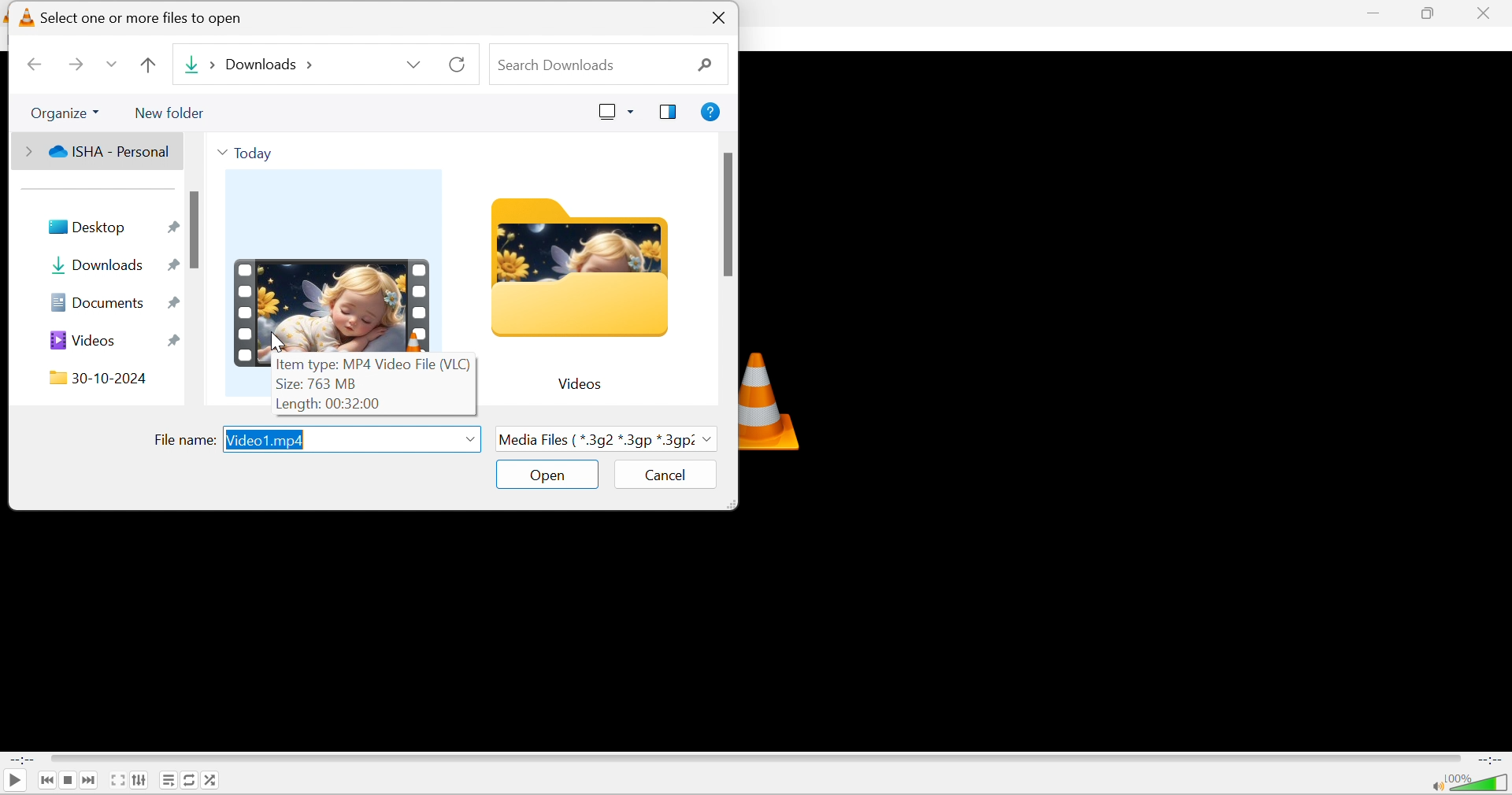  I want to click on Item type: MP4 Video File (VLC), so click(380, 364).